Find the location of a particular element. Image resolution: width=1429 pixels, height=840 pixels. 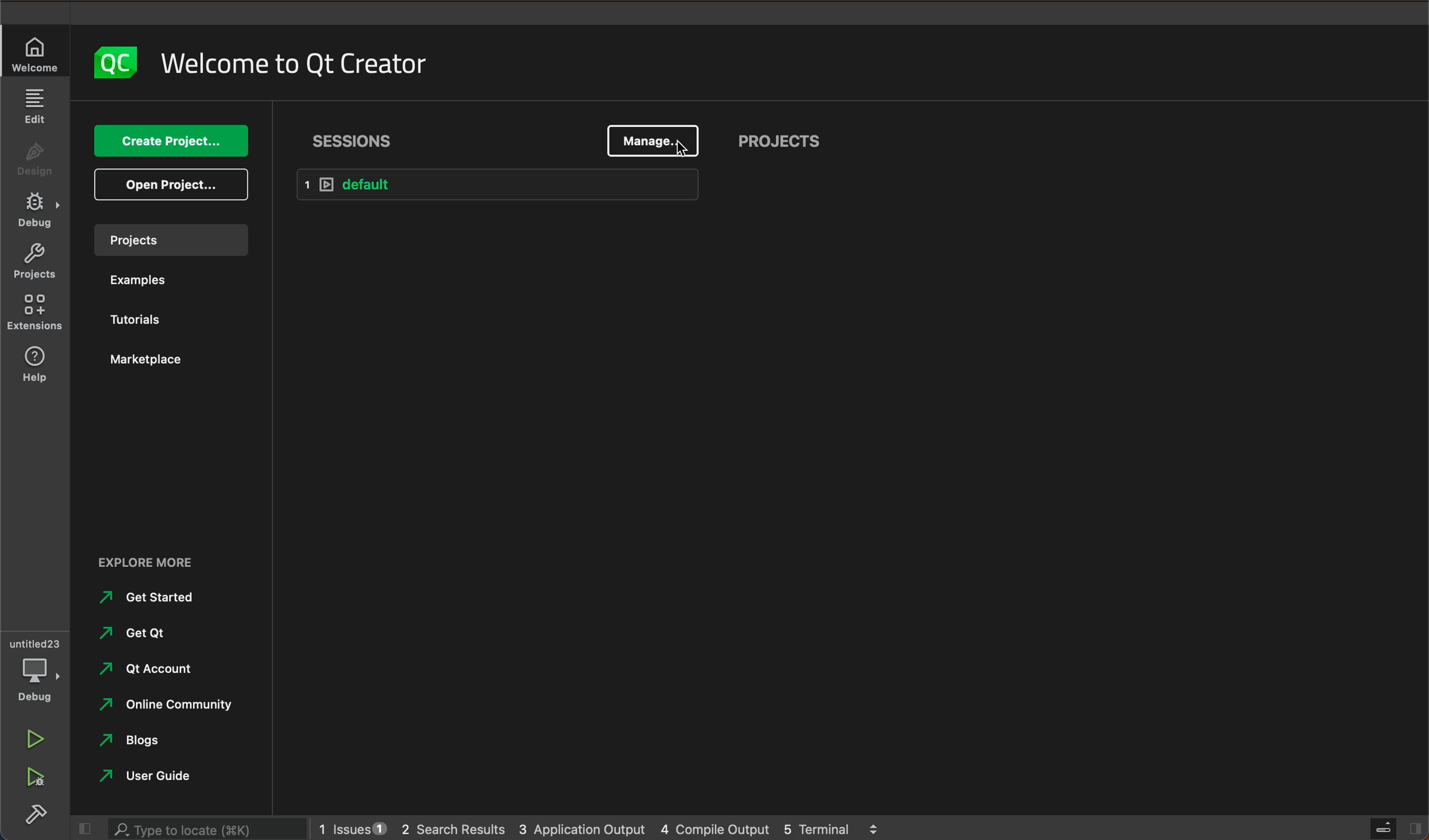

welcome to QT creator is located at coordinates (295, 63).